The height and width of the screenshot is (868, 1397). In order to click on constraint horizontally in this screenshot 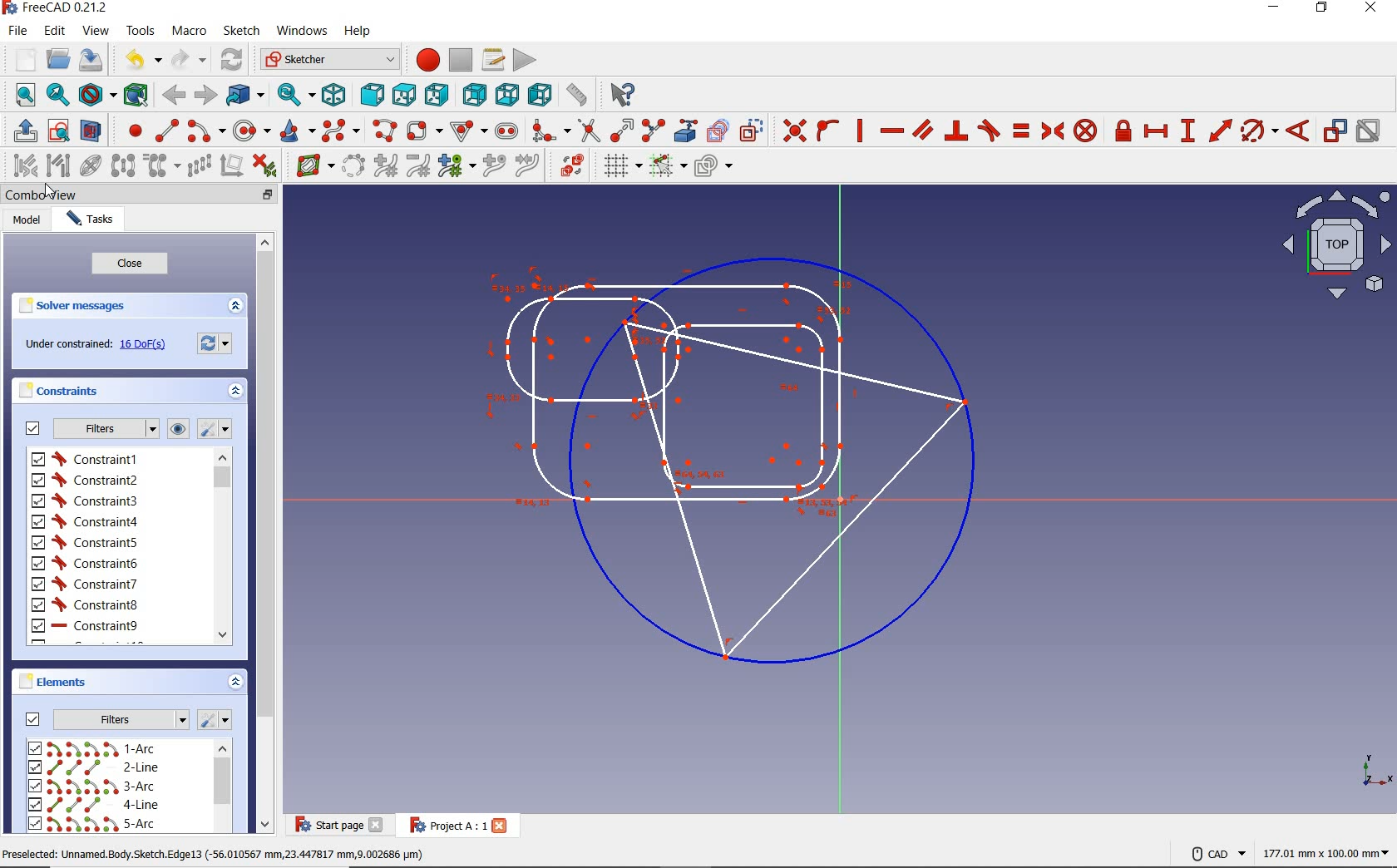, I will do `click(891, 132)`.